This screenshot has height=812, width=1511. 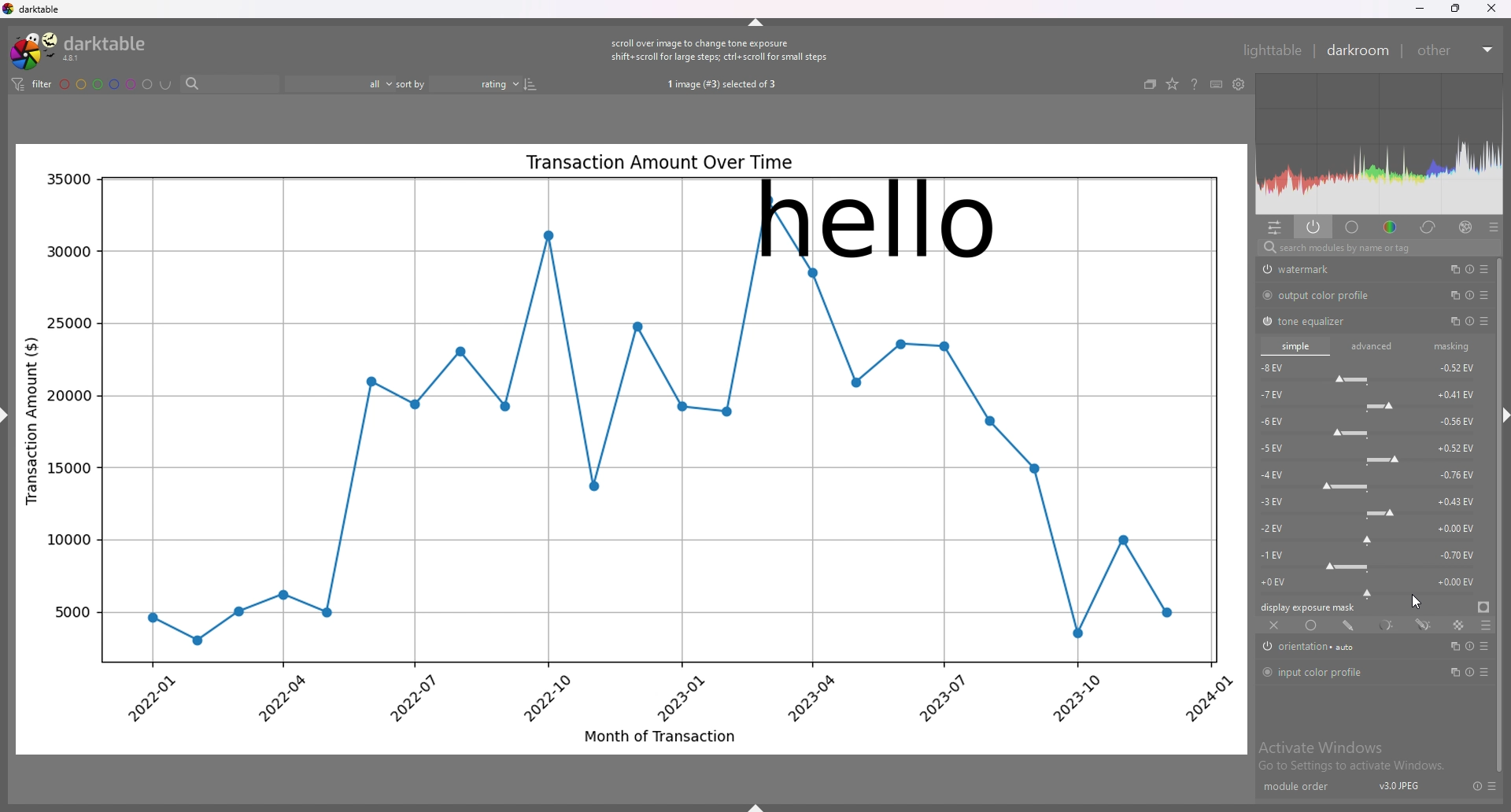 I want to click on filter by images rating, so click(x=338, y=85).